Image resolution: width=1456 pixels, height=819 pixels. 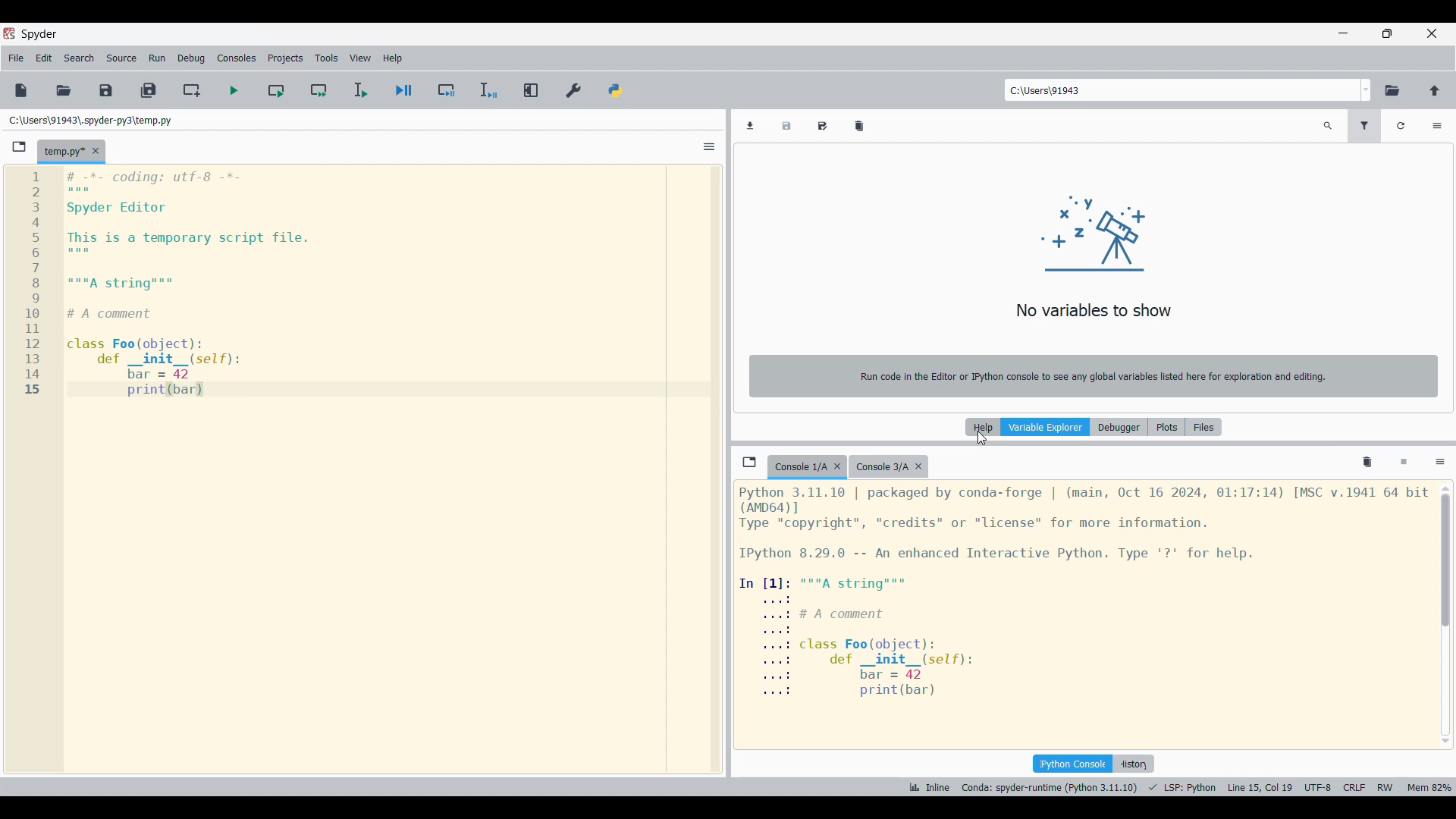 What do you see at coordinates (1182, 90) in the screenshot?
I see `Enter location` at bounding box center [1182, 90].